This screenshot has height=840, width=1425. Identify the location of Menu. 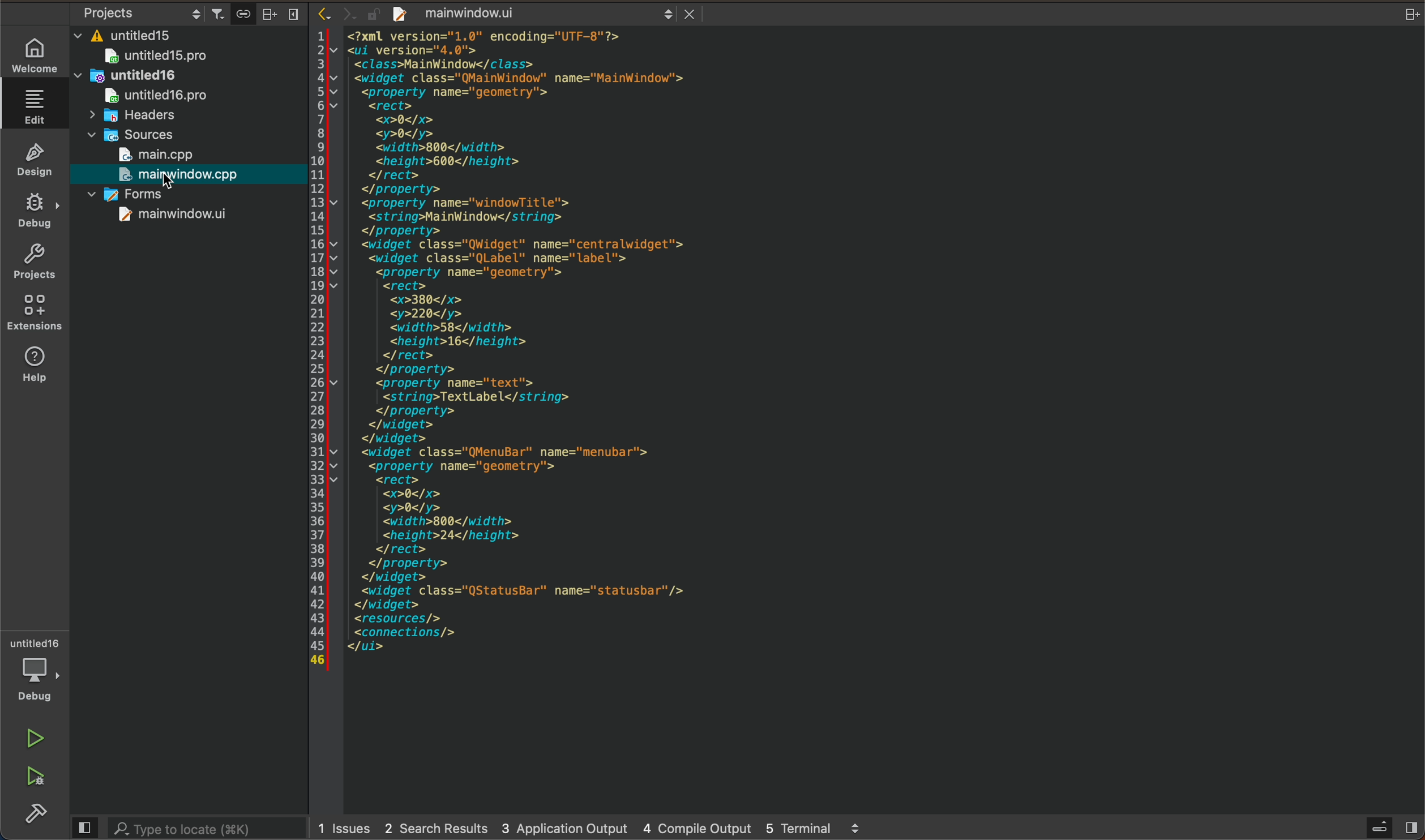
(292, 14).